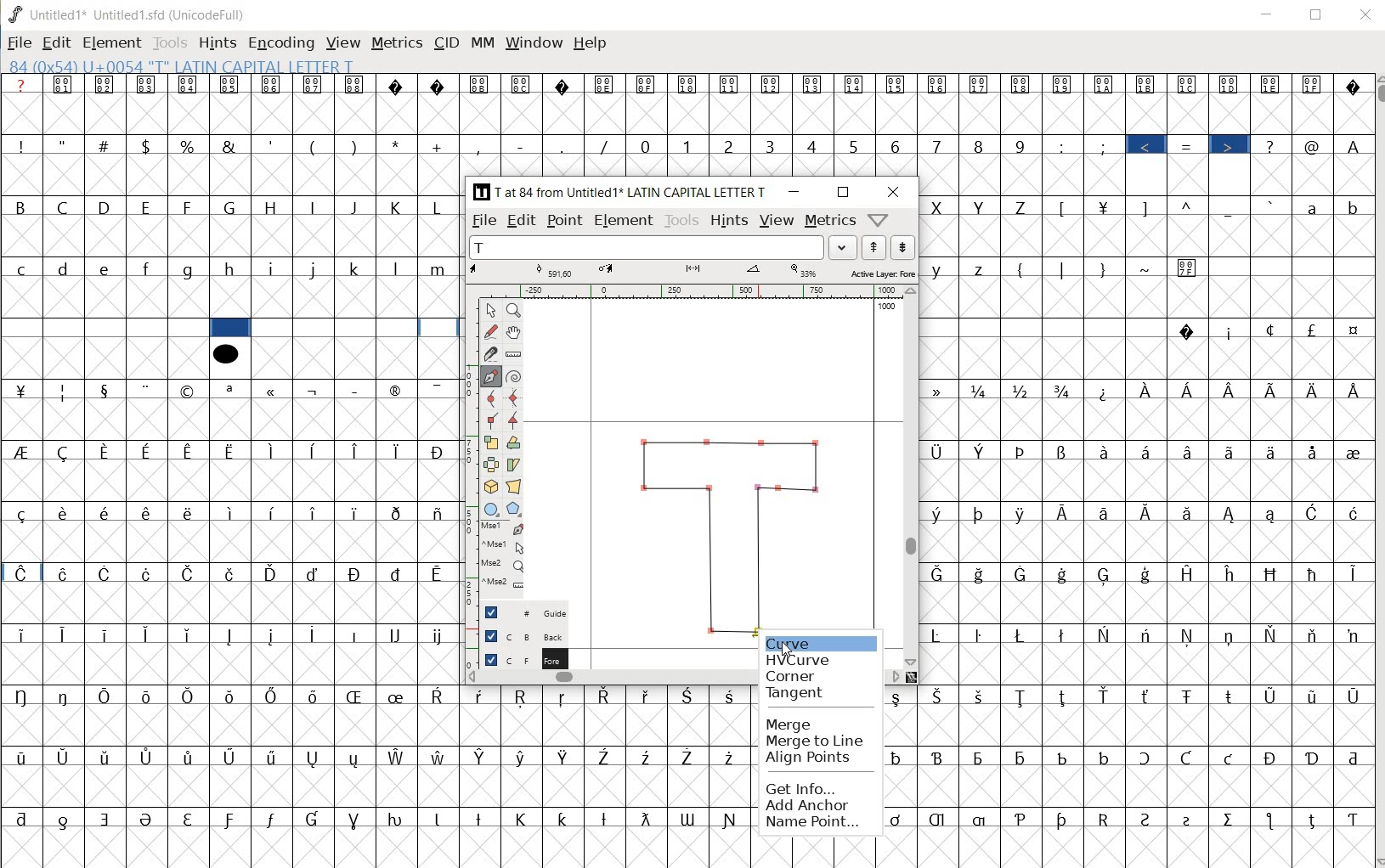  Describe the element at coordinates (814, 86) in the screenshot. I see `Symbol` at that location.